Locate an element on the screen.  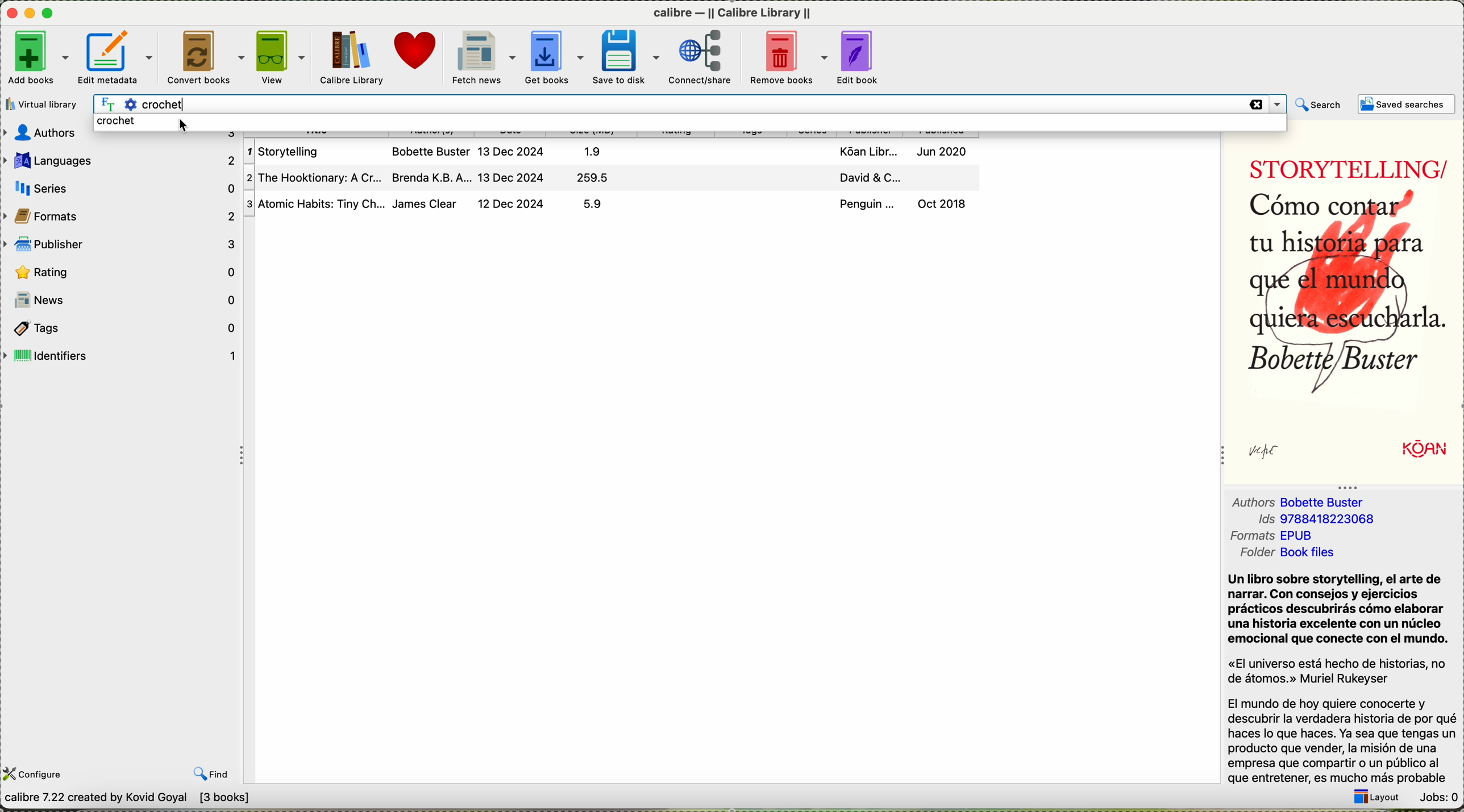
9788418223068 is located at coordinates (1333, 521).